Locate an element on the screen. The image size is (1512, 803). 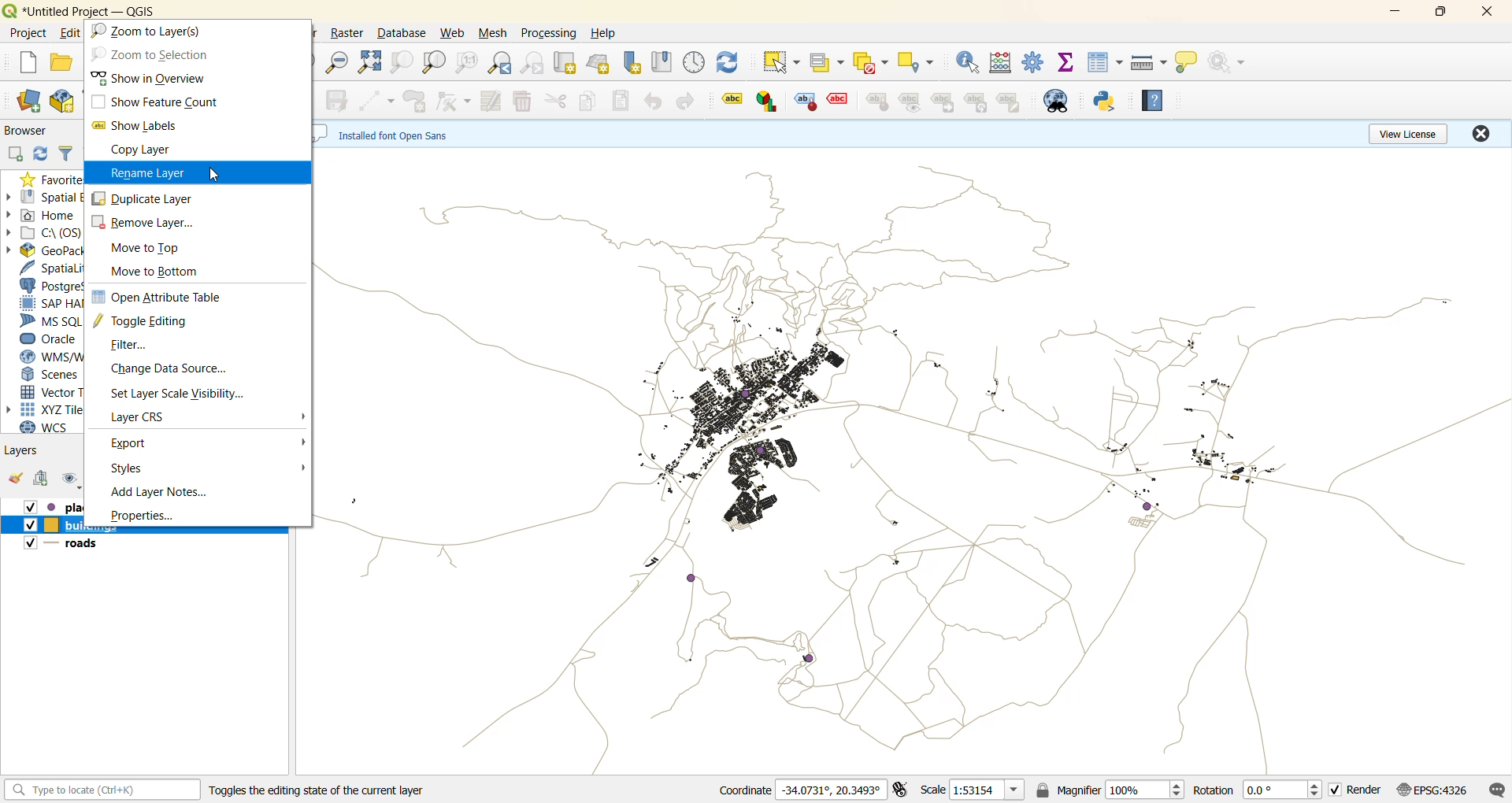
zoom selection is located at coordinates (402, 64).